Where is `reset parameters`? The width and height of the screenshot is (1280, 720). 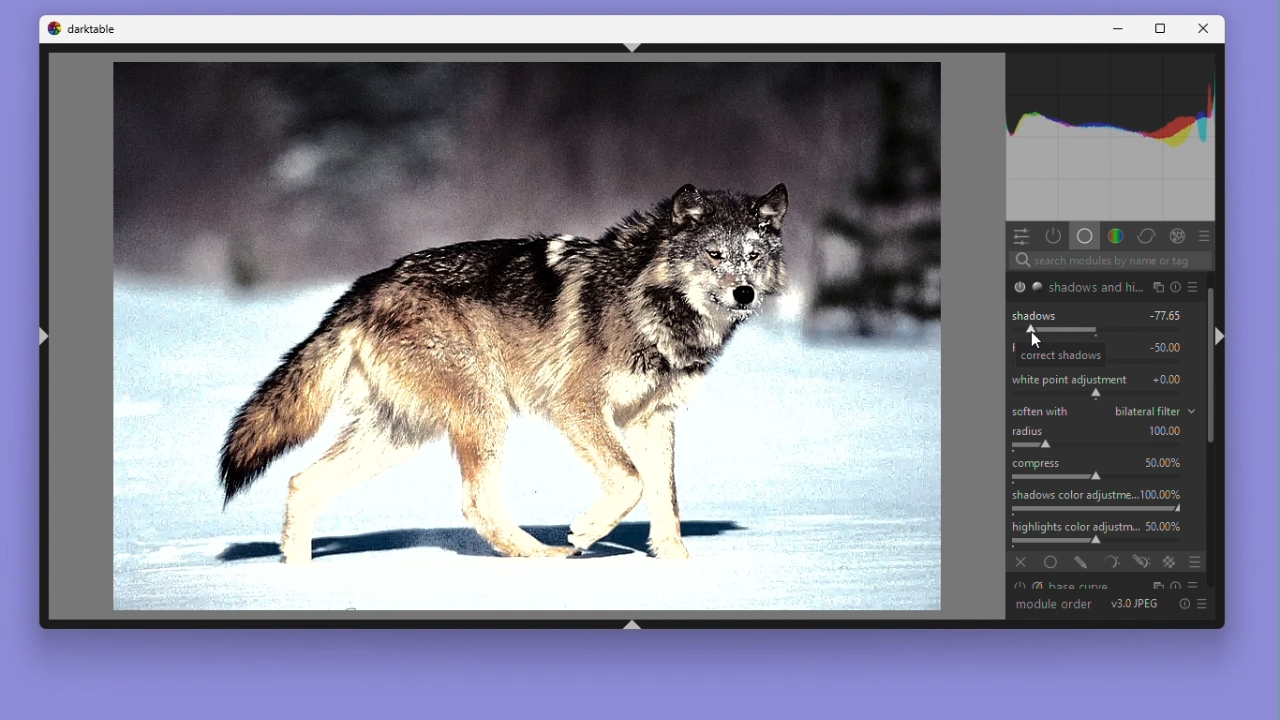
reset parameters is located at coordinates (1175, 289).